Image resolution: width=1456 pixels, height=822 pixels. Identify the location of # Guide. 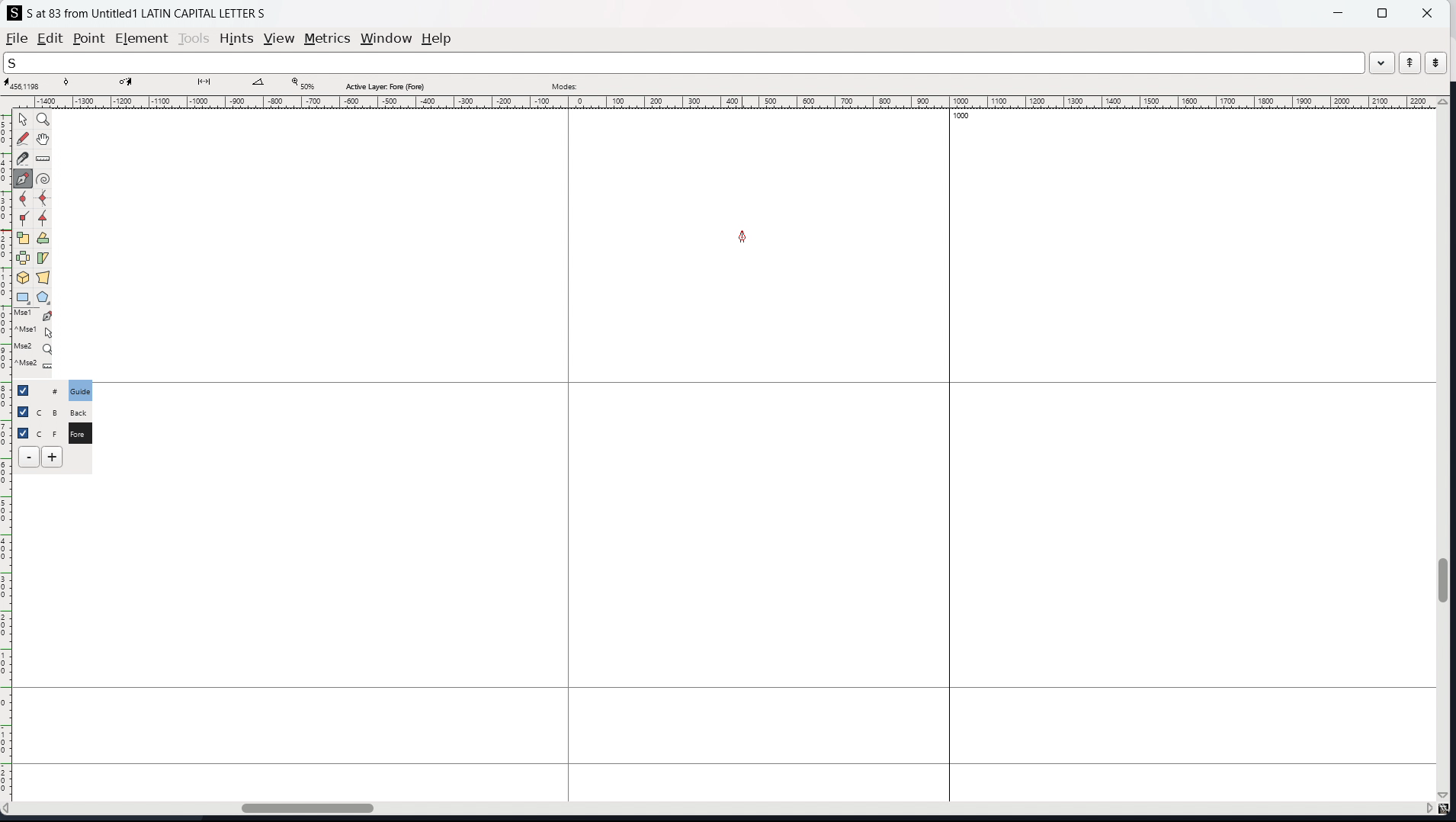
(82, 390).